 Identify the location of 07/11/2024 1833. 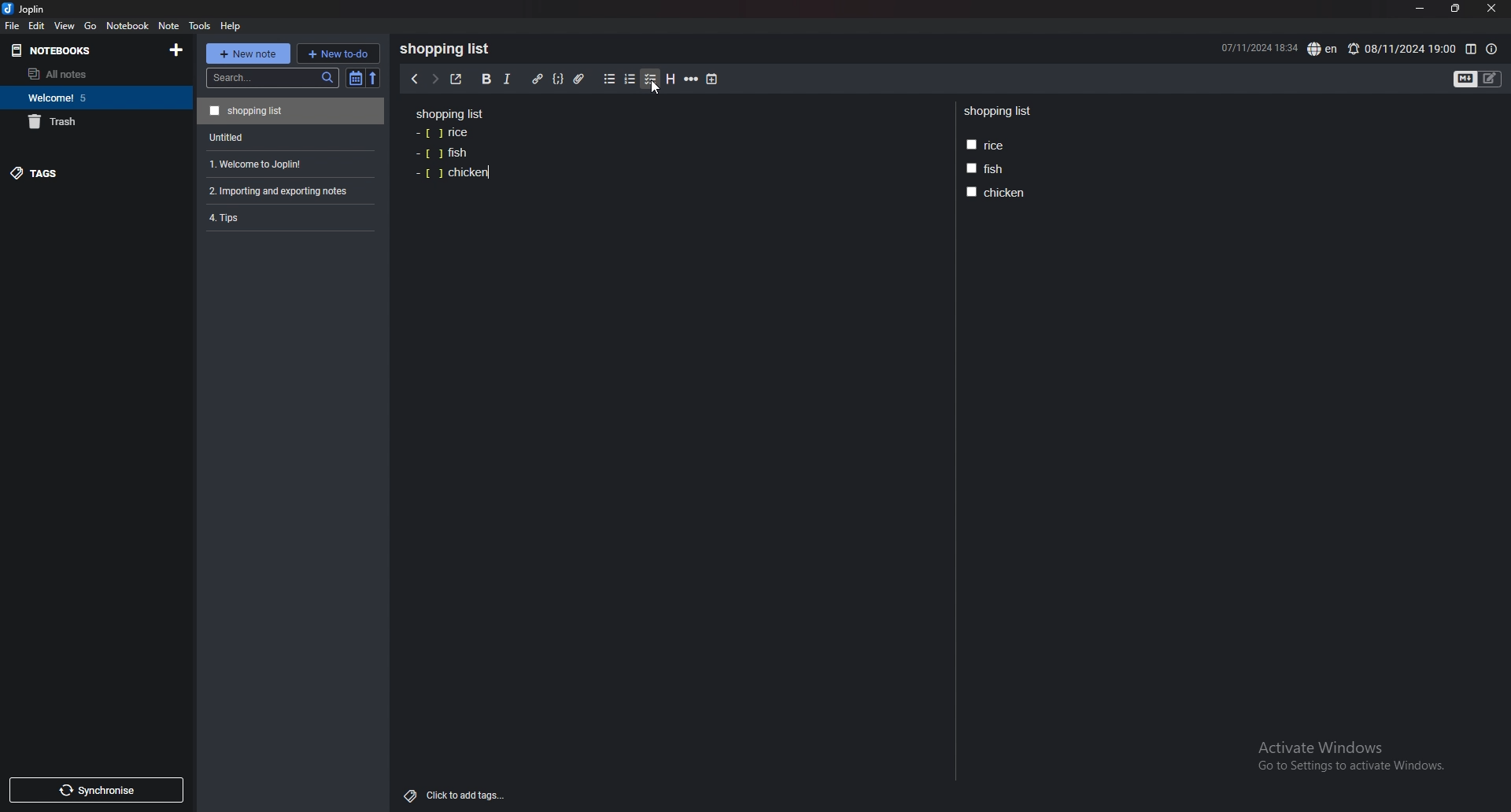
(1258, 47).